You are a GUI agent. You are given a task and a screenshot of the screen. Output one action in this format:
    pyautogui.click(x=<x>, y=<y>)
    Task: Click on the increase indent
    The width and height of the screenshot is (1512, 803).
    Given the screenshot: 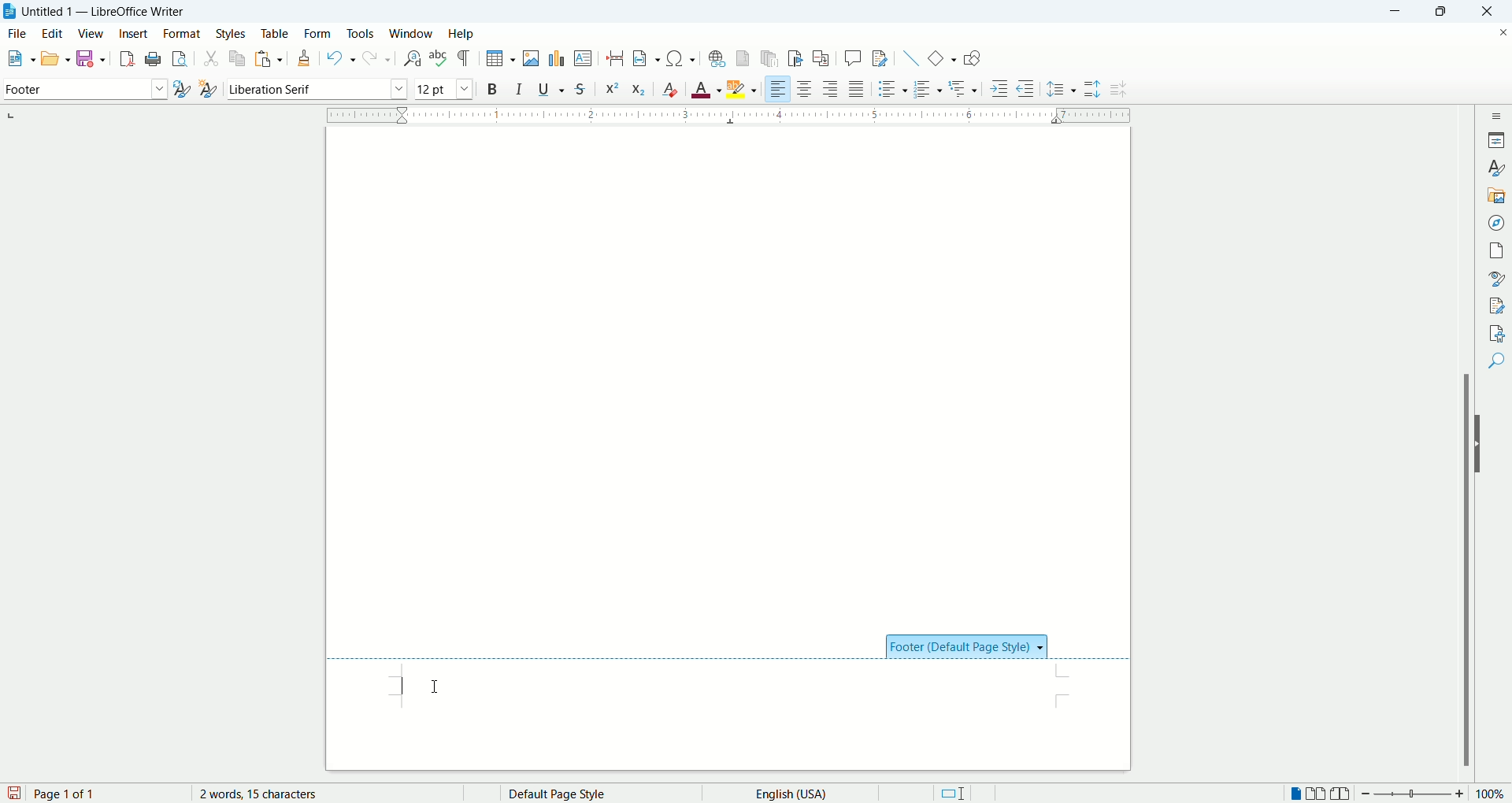 What is the action you would take?
    pyautogui.click(x=1000, y=88)
    